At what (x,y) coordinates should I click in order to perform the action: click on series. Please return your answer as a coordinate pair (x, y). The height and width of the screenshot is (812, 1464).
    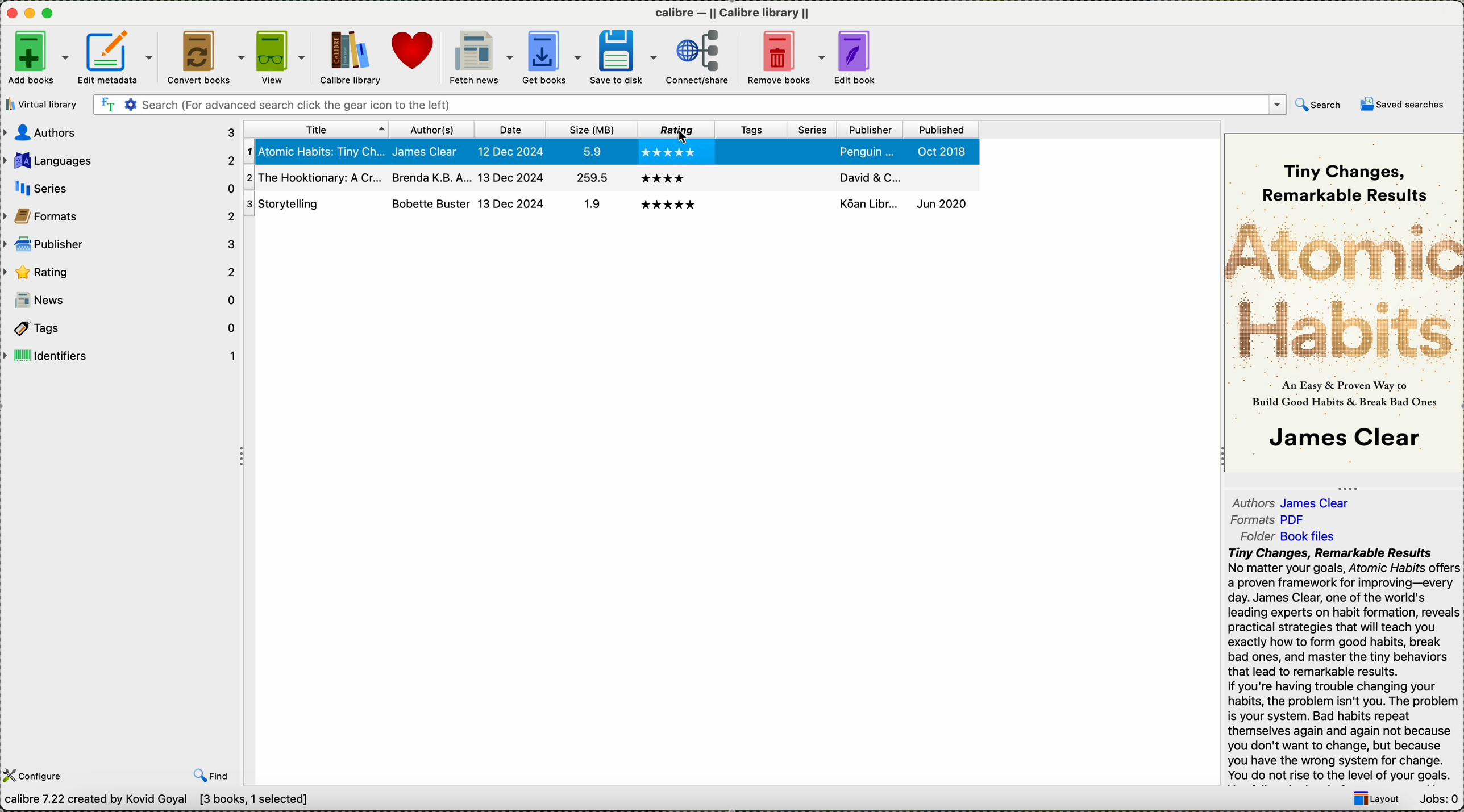
    Looking at the image, I should click on (813, 130).